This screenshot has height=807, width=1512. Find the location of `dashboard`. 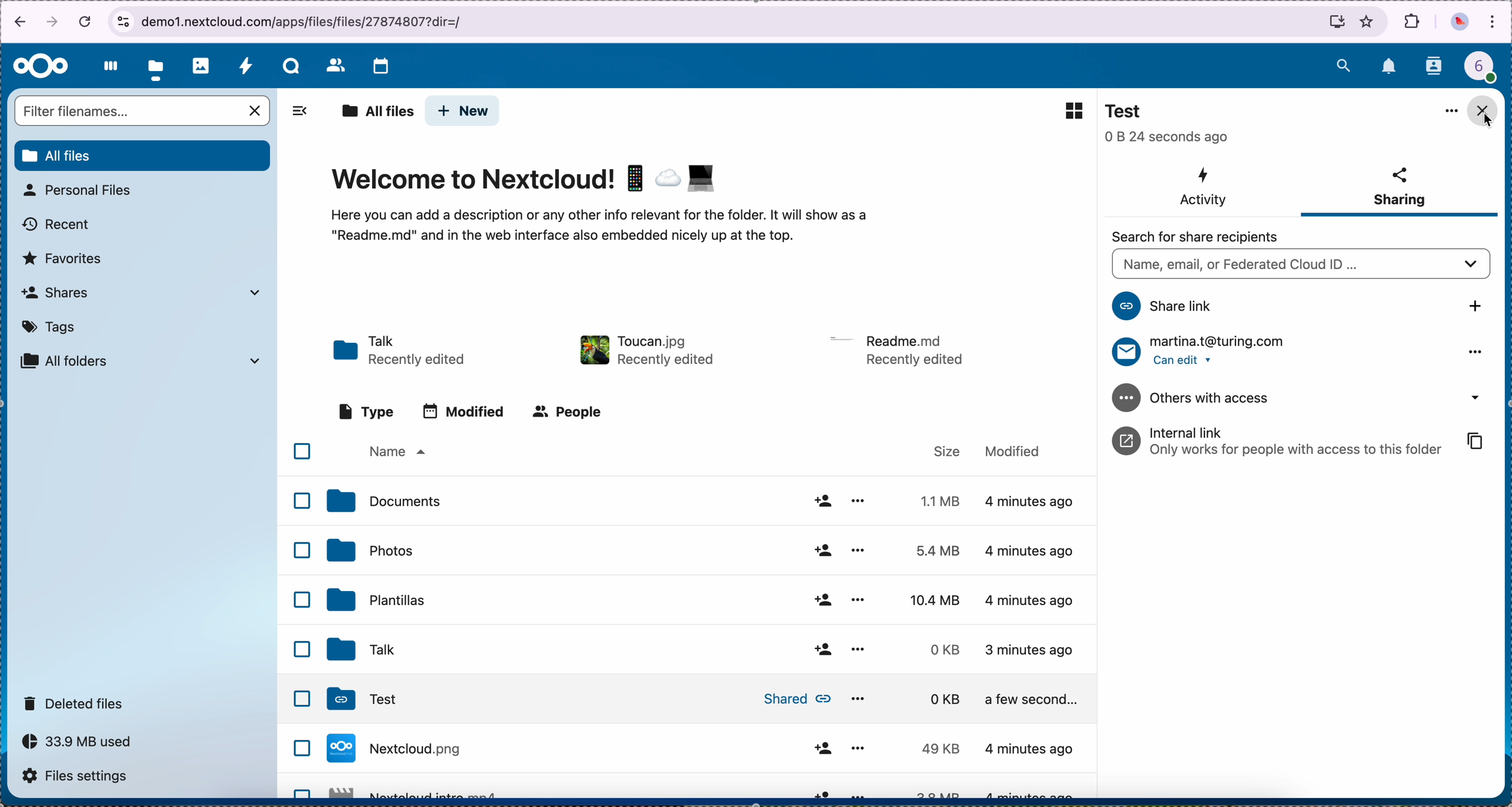

dashboard is located at coordinates (107, 66).